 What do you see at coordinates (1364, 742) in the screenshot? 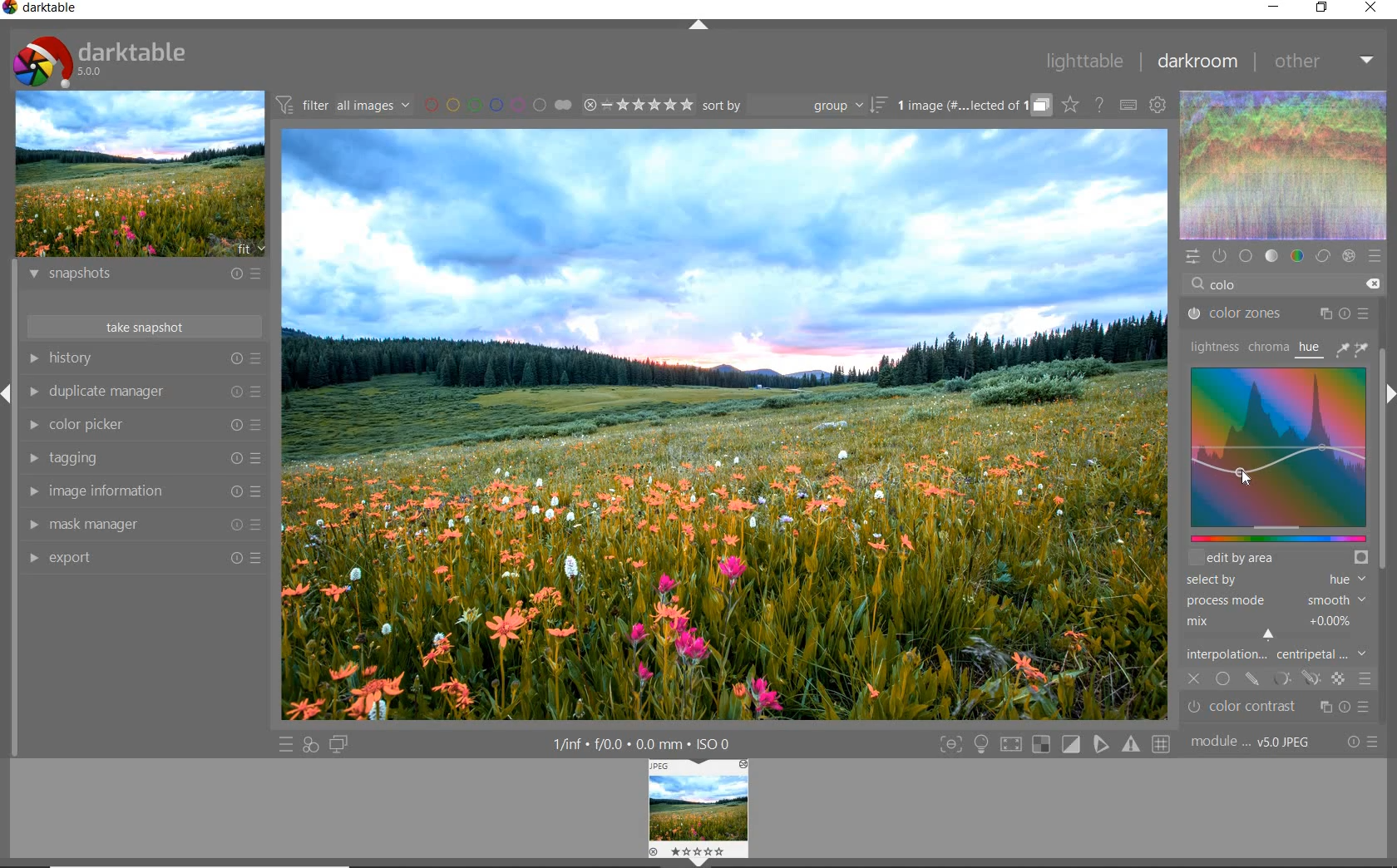
I see `reset or presets and preferences` at bounding box center [1364, 742].